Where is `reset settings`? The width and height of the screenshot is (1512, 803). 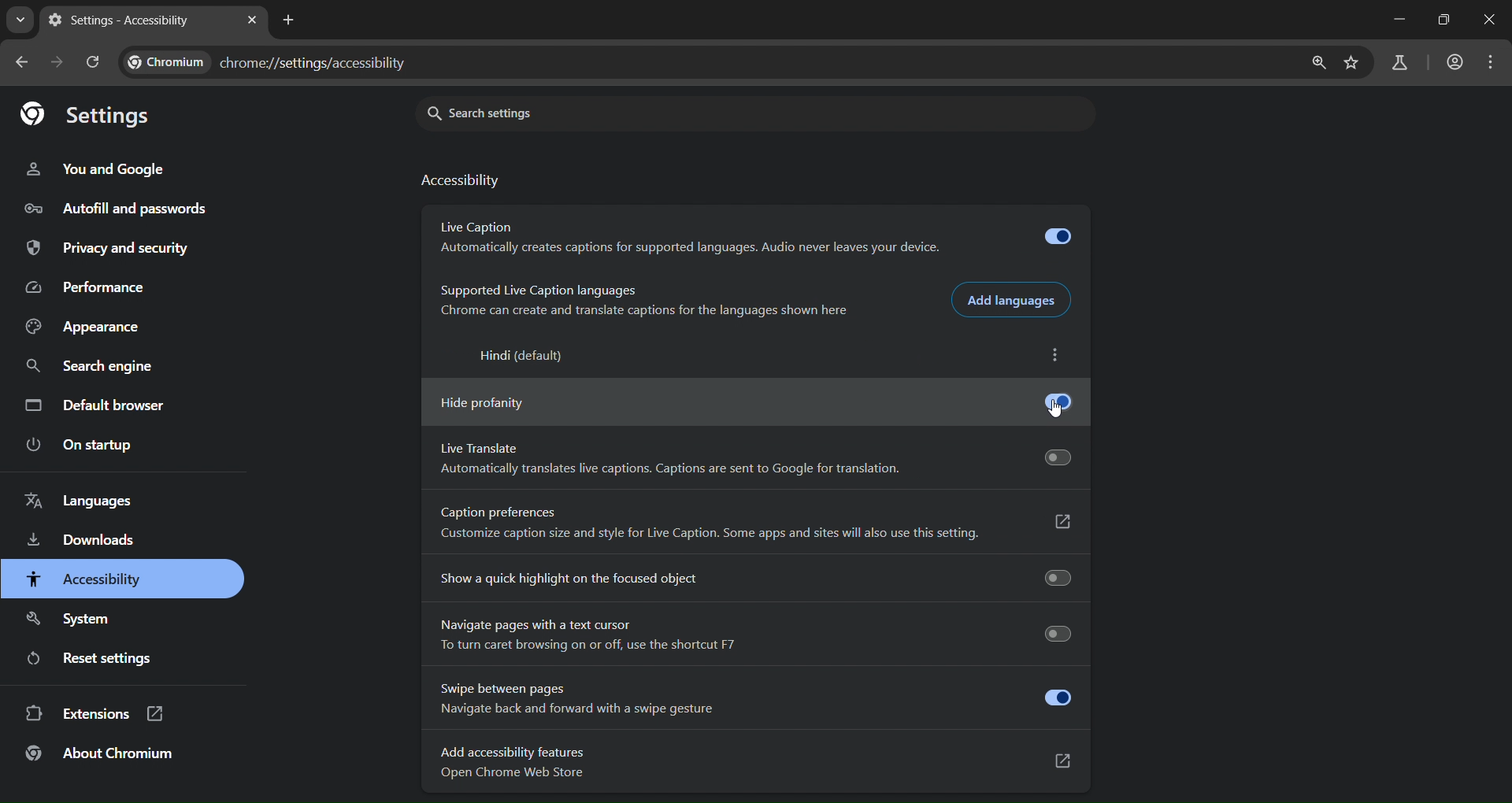
reset settings is located at coordinates (114, 659).